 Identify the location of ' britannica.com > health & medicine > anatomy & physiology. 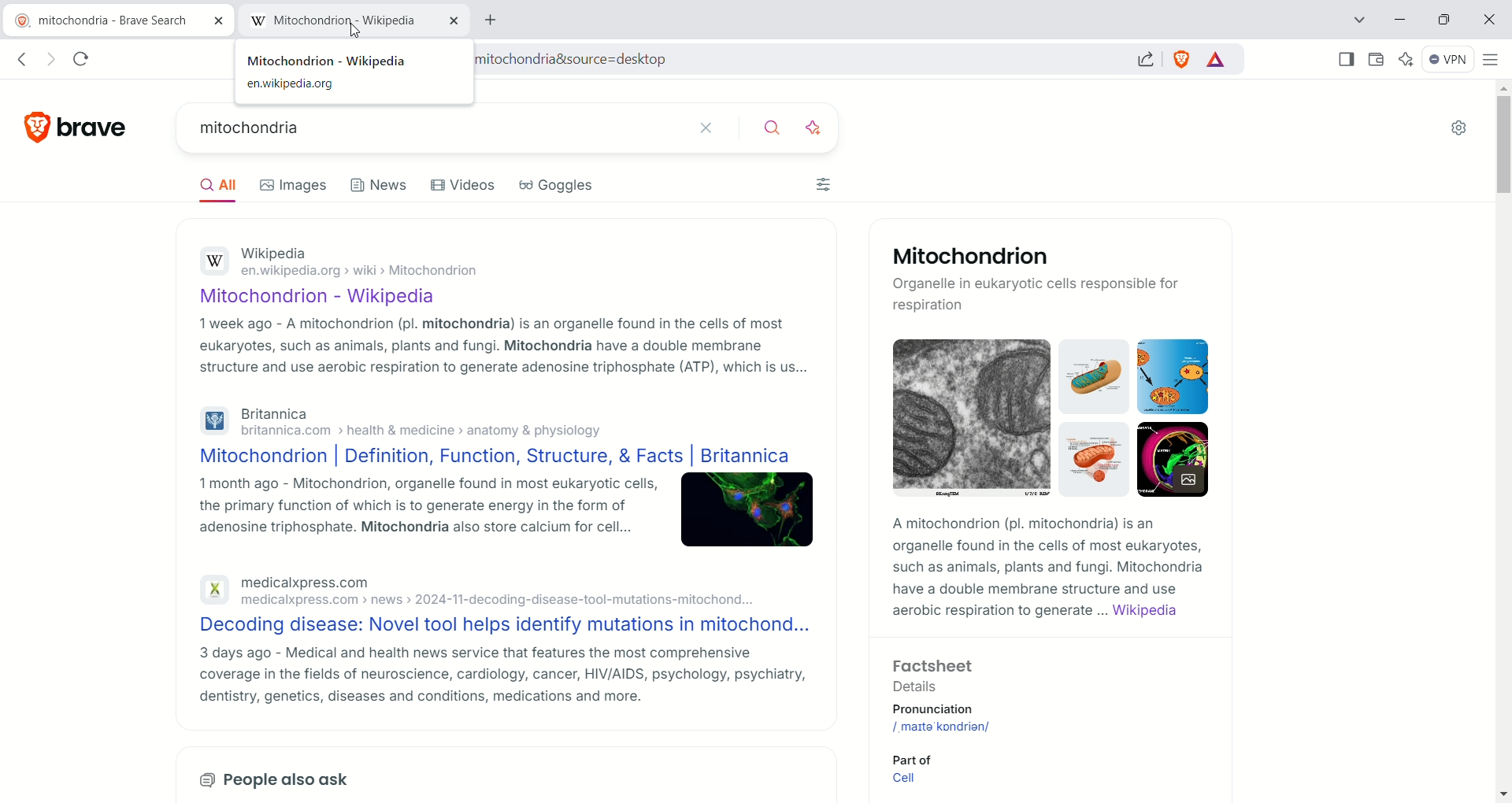
(419, 431).